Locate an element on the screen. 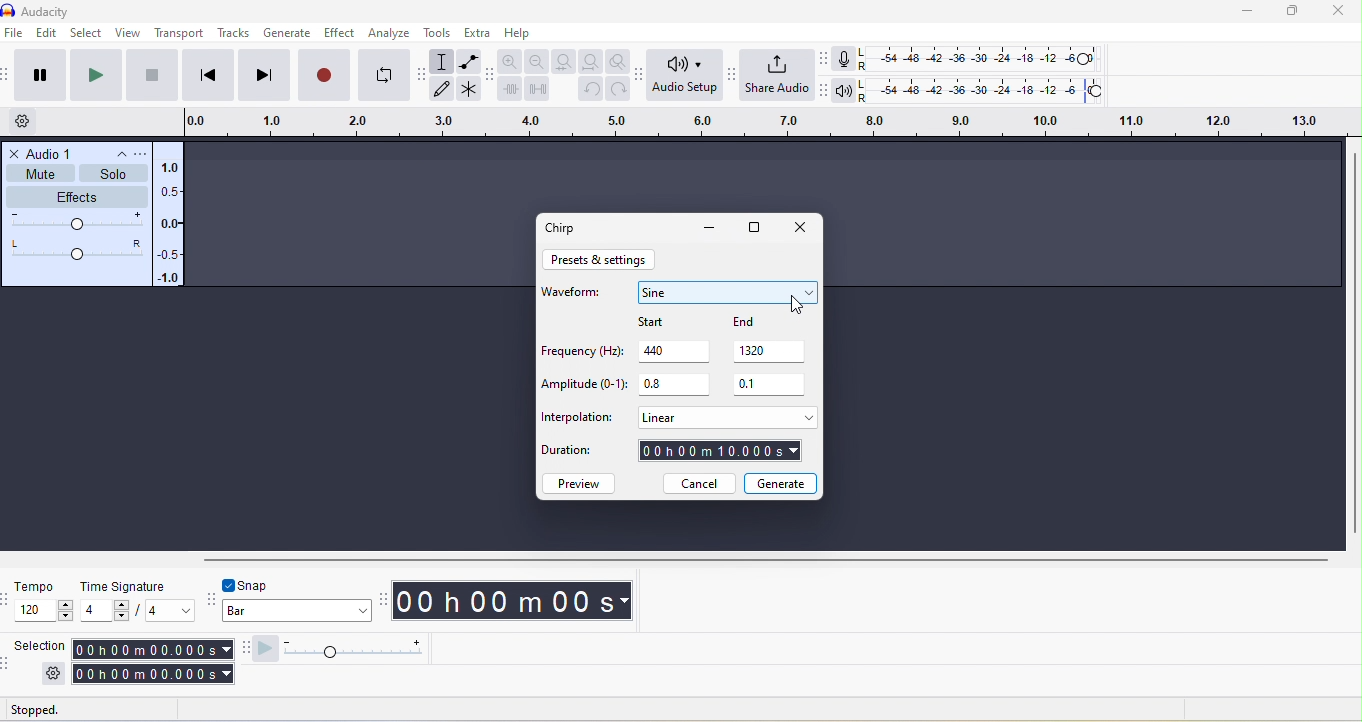  pause is located at coordinates (38, 75).